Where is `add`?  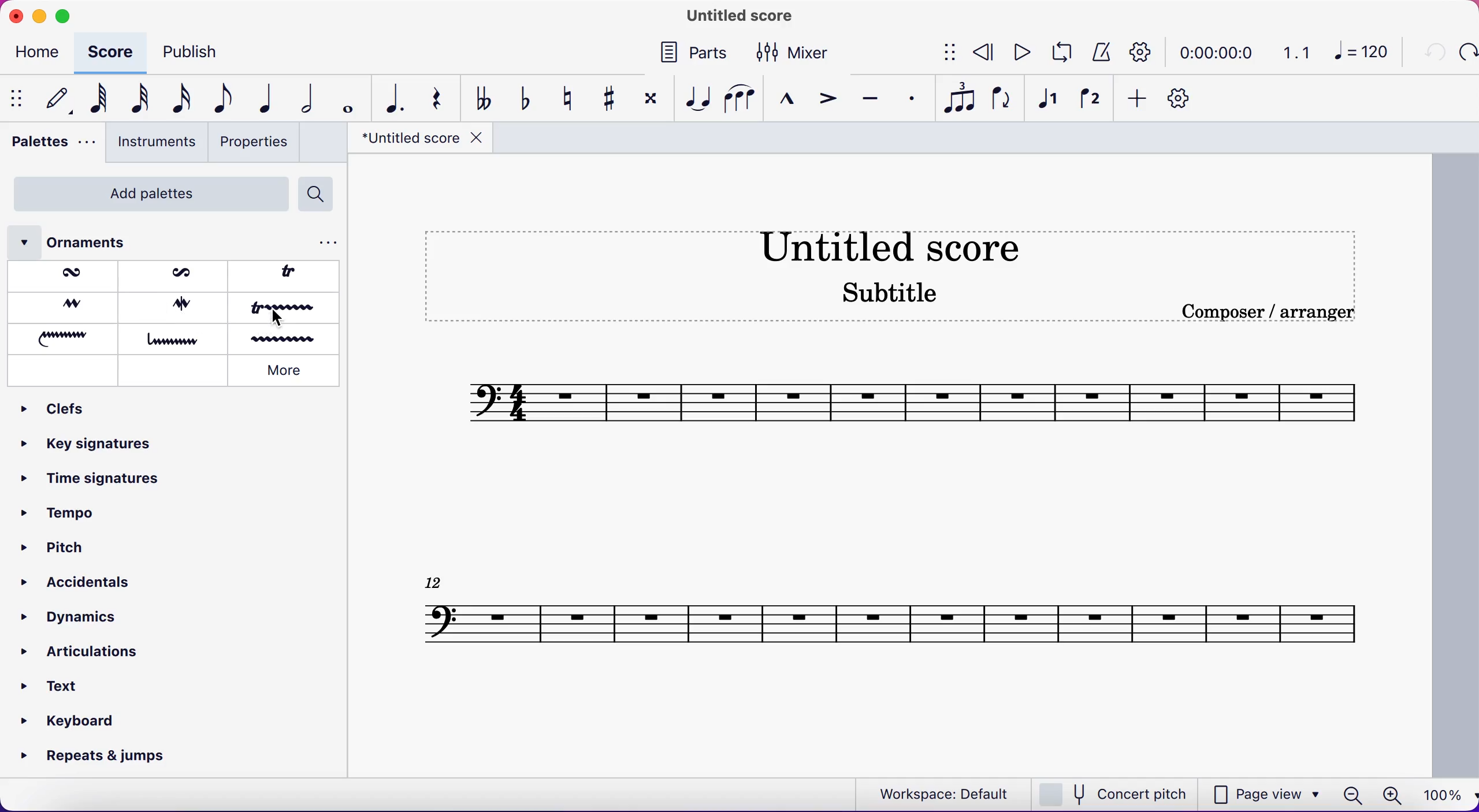 add is located at coordinates (1138, 100).